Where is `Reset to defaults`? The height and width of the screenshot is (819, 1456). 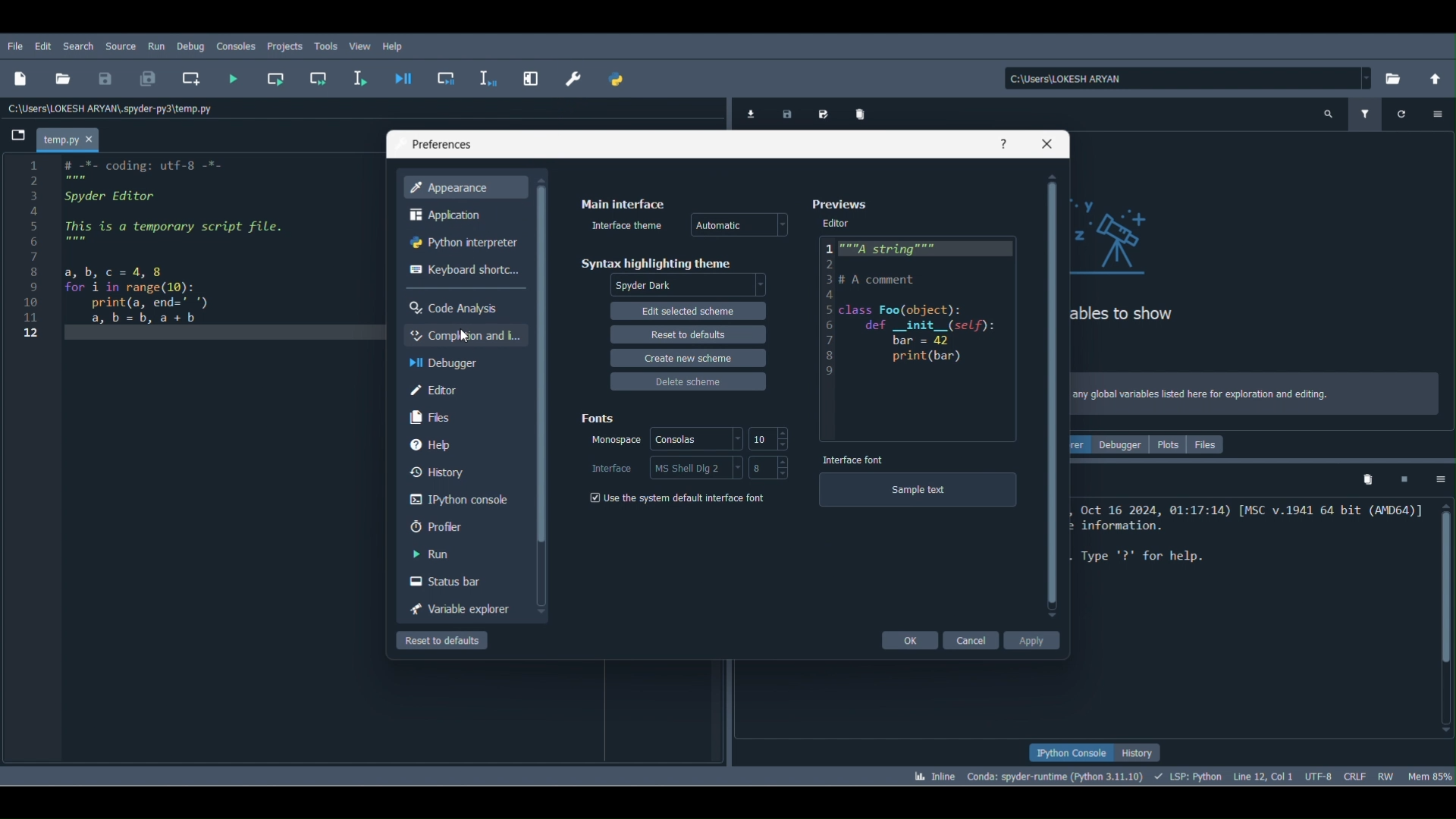
Reset to defaults is located at coordinates (447, 640).